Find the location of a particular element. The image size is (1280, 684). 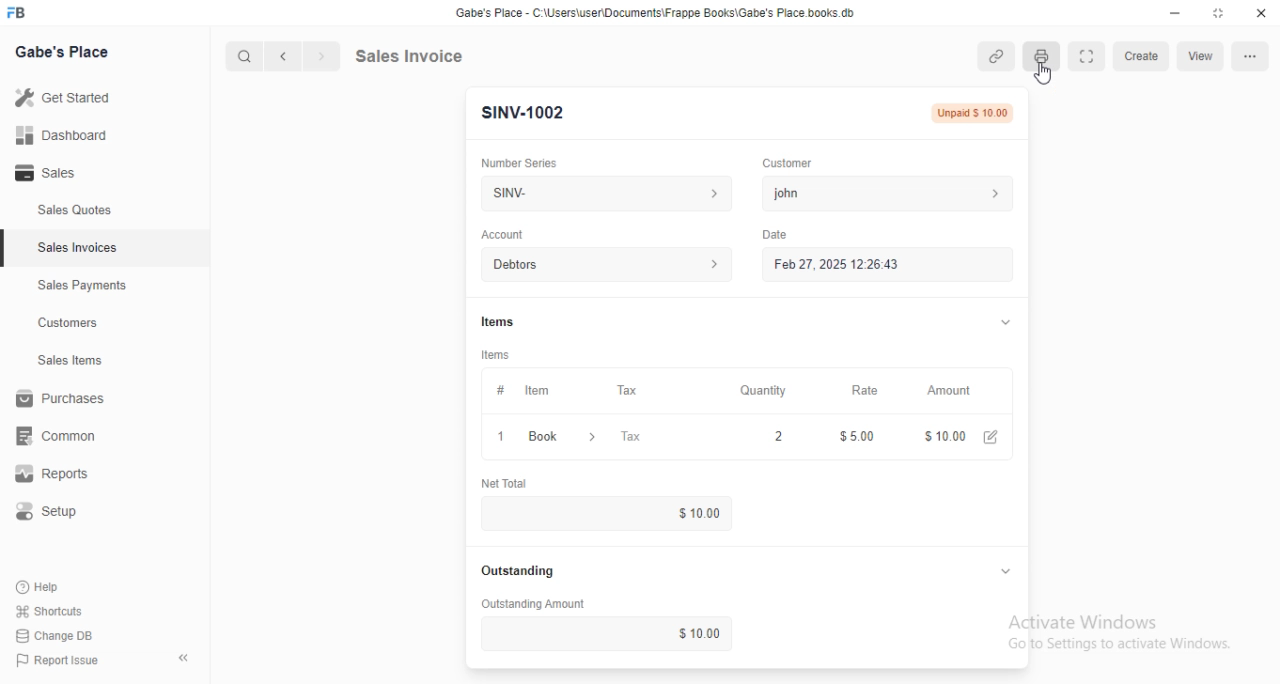

customers is located at coordinates (69, 323).